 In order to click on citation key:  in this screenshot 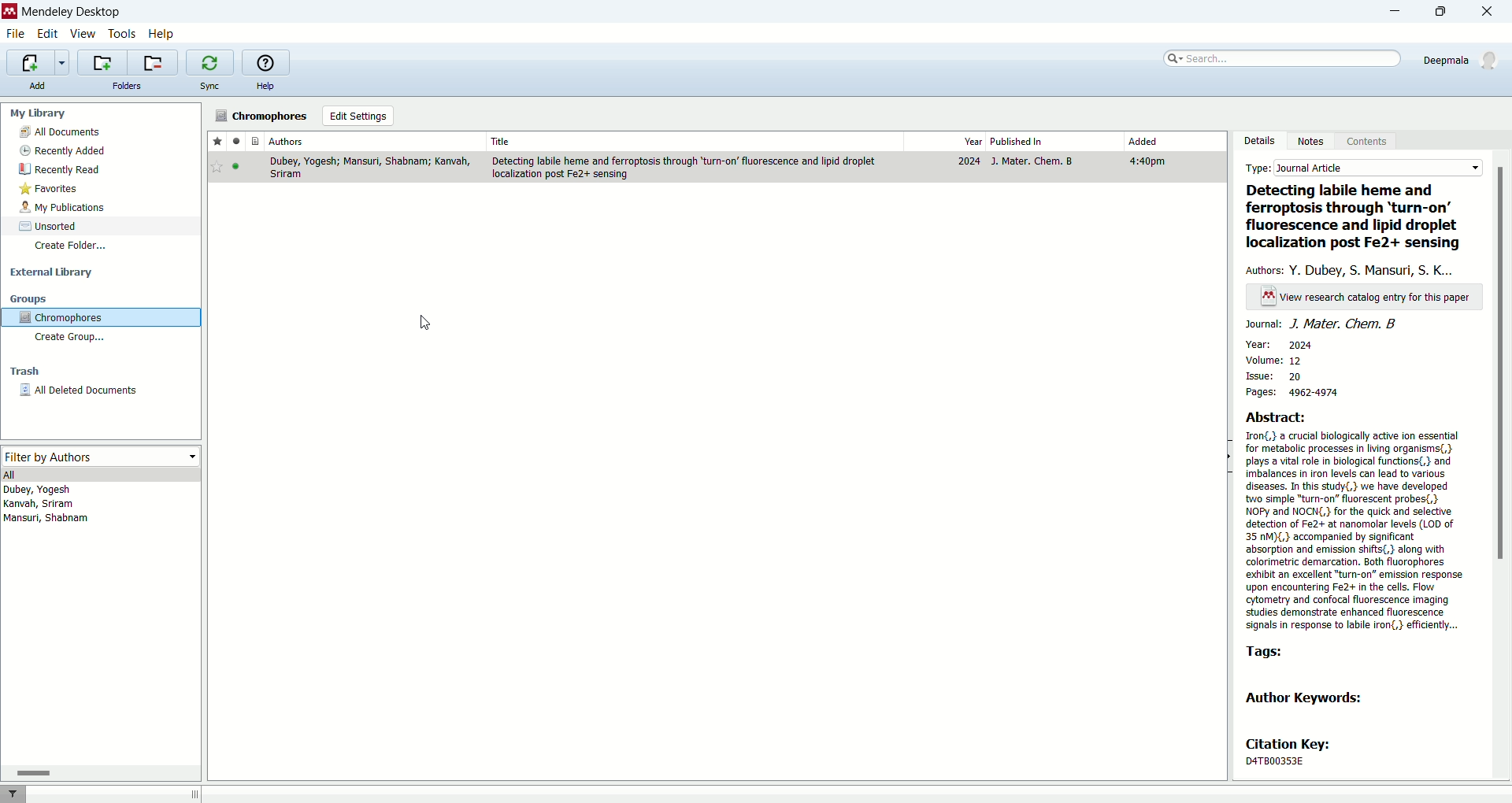, I will do `click(1295, 744)`.